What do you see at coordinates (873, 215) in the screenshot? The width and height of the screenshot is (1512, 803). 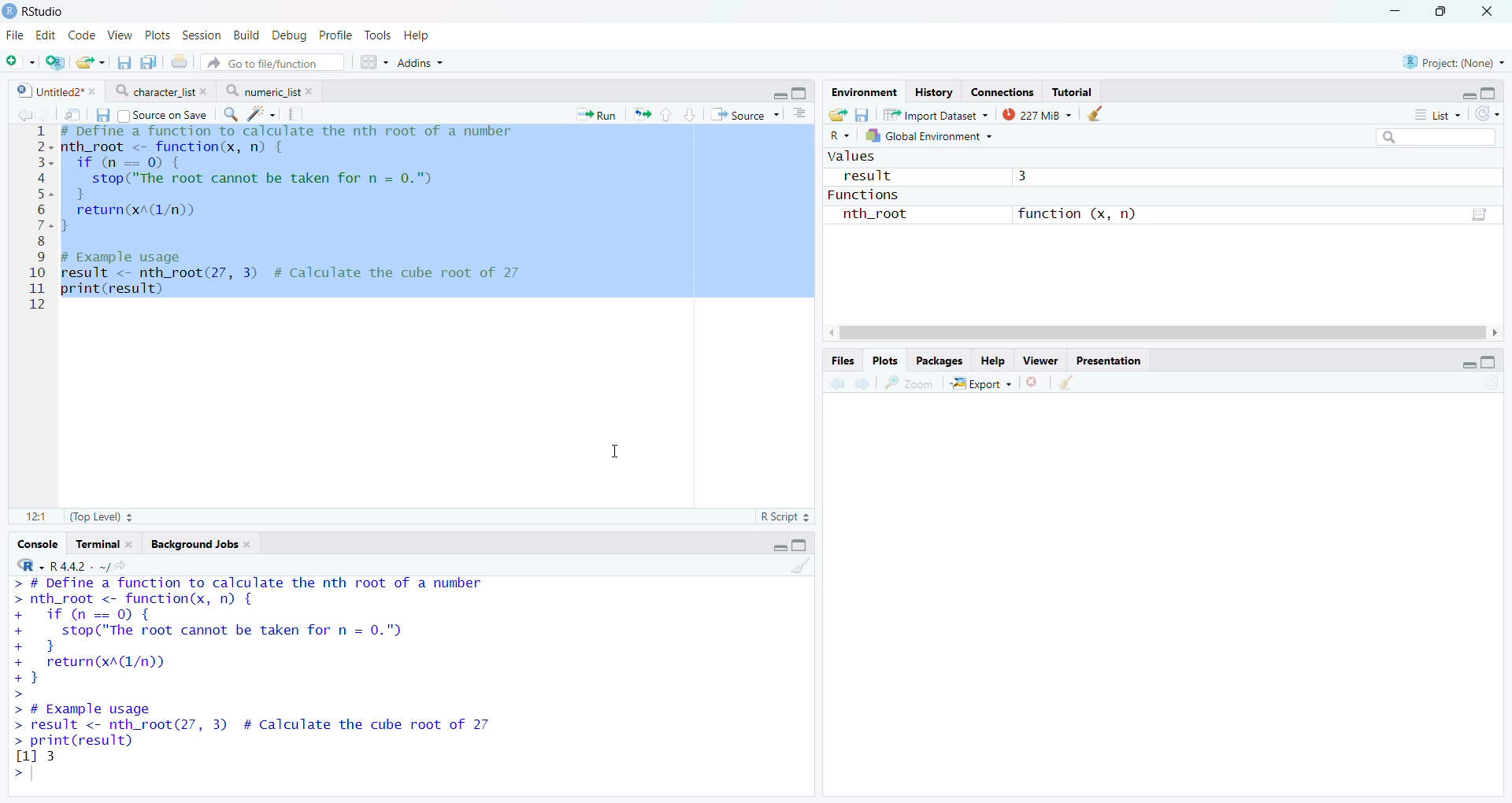 I see `nth_root` at bounding box center [873, 215].